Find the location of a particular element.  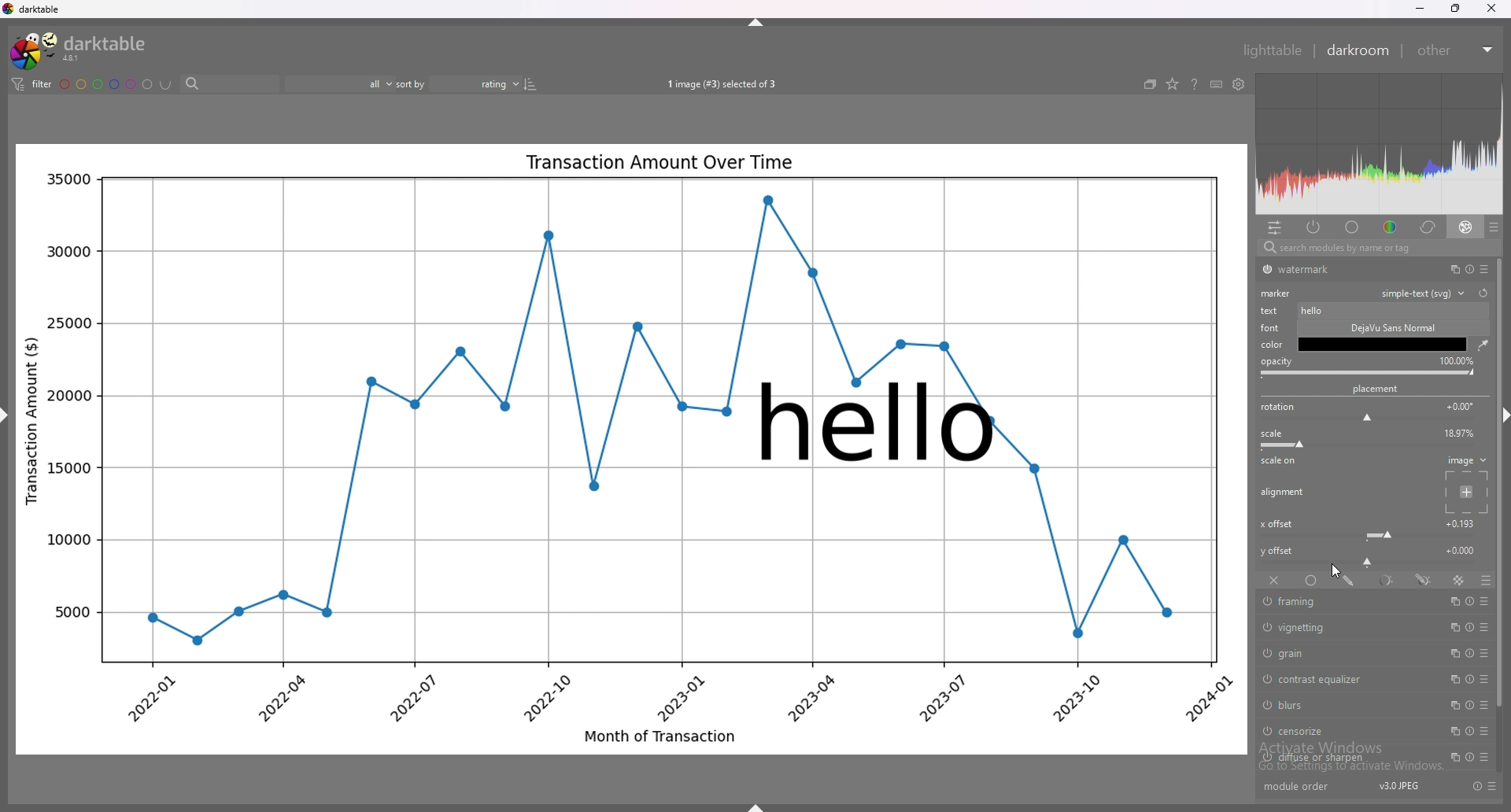

resize is located at coordinates (1454, 8).